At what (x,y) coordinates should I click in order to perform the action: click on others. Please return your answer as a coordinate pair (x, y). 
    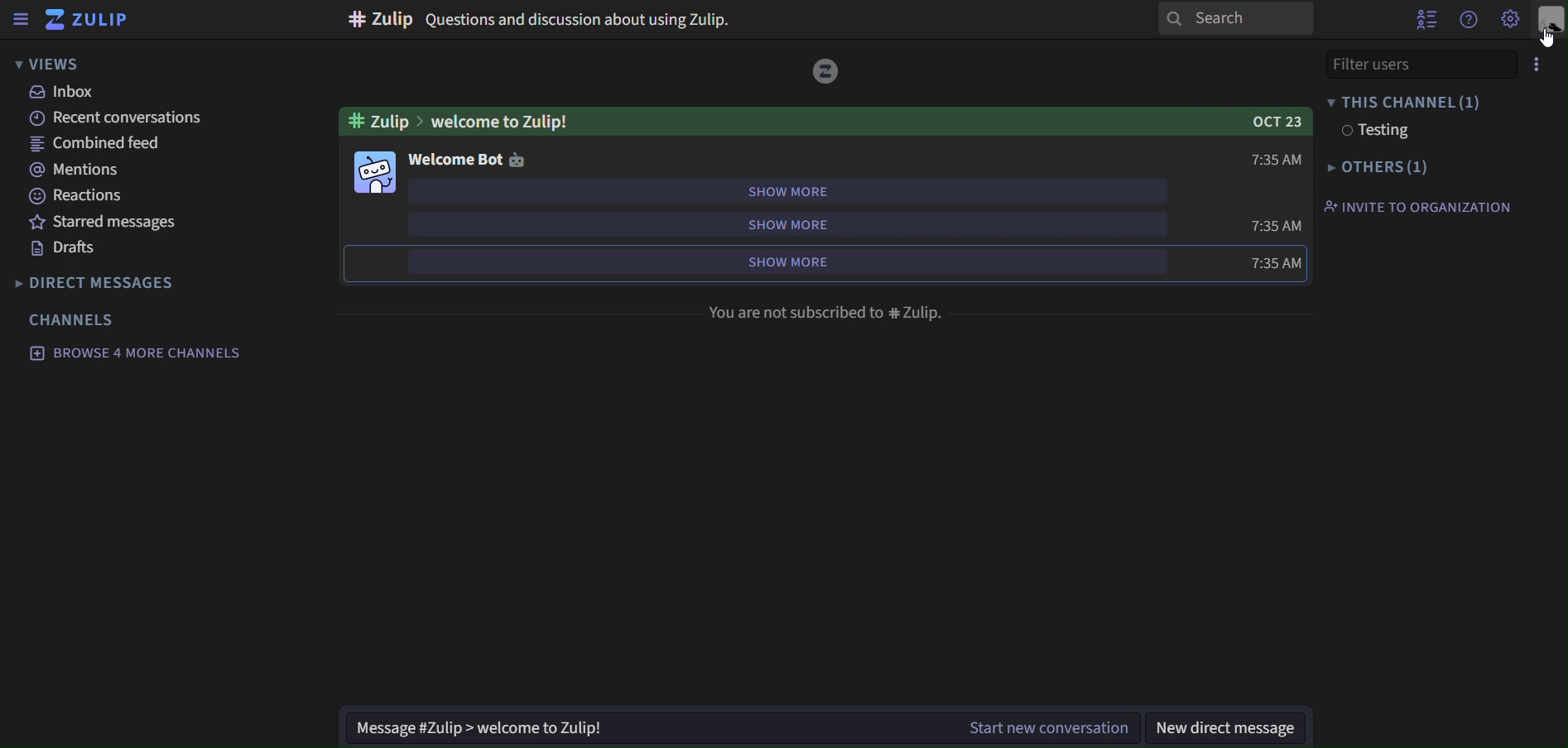
    Looking at the image, I should click on (1377, 168).